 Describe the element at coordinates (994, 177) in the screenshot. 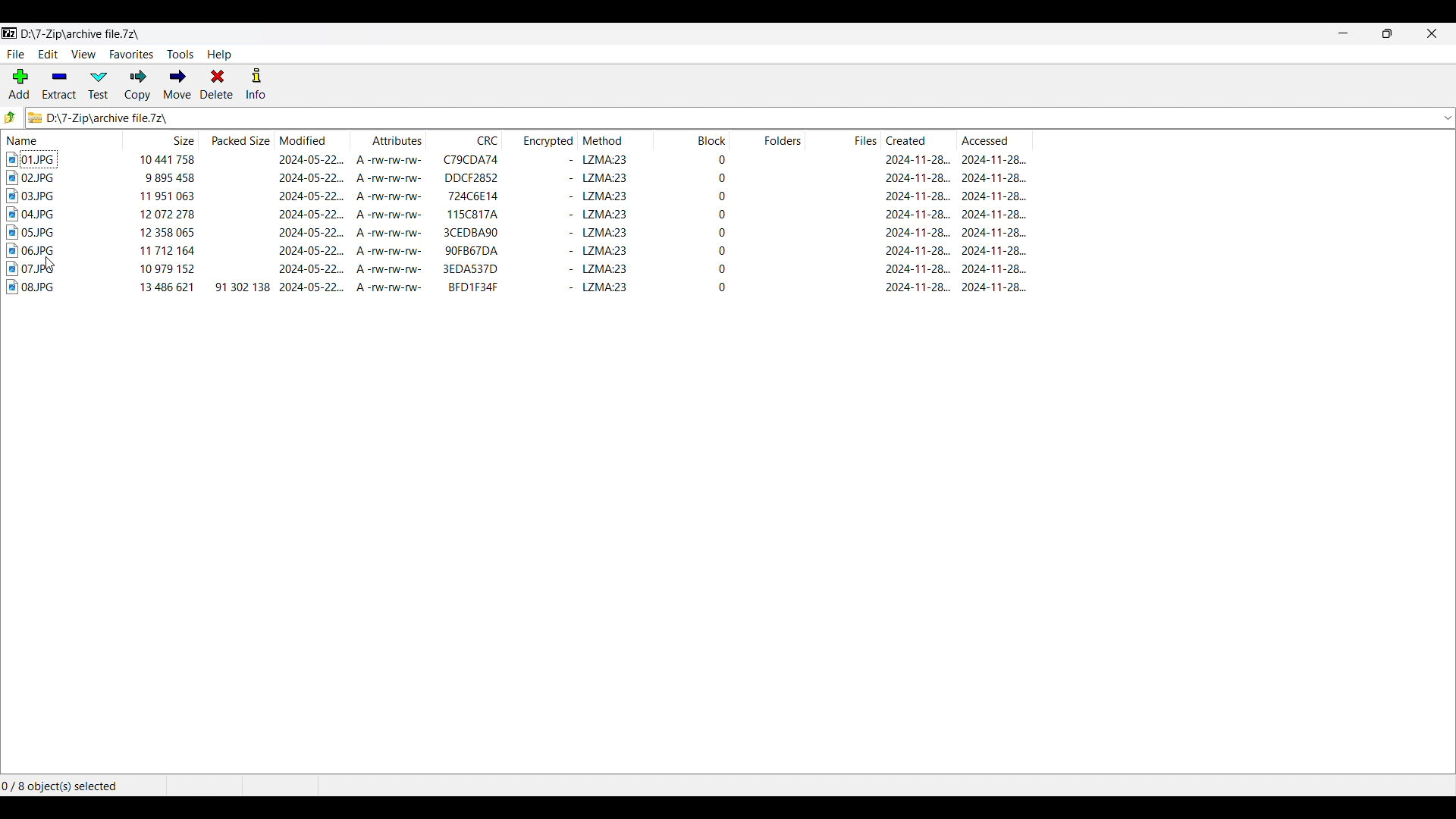

I see `accessed date & time` at that location.